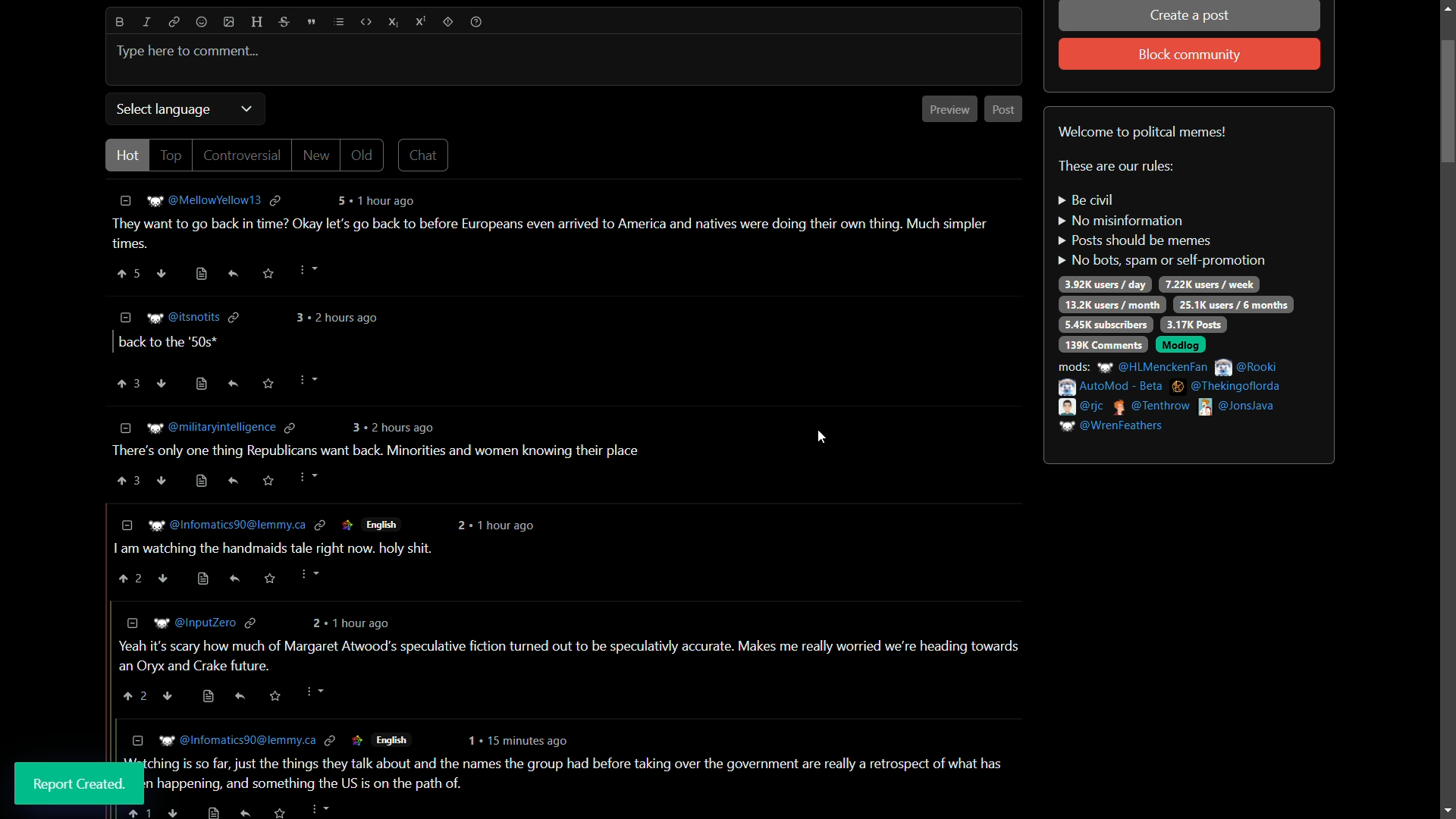 The image size is (1456, 819). Describe the element at coordinates (1193, 325) in the screenshot. I see `3.17k posts` at that location.